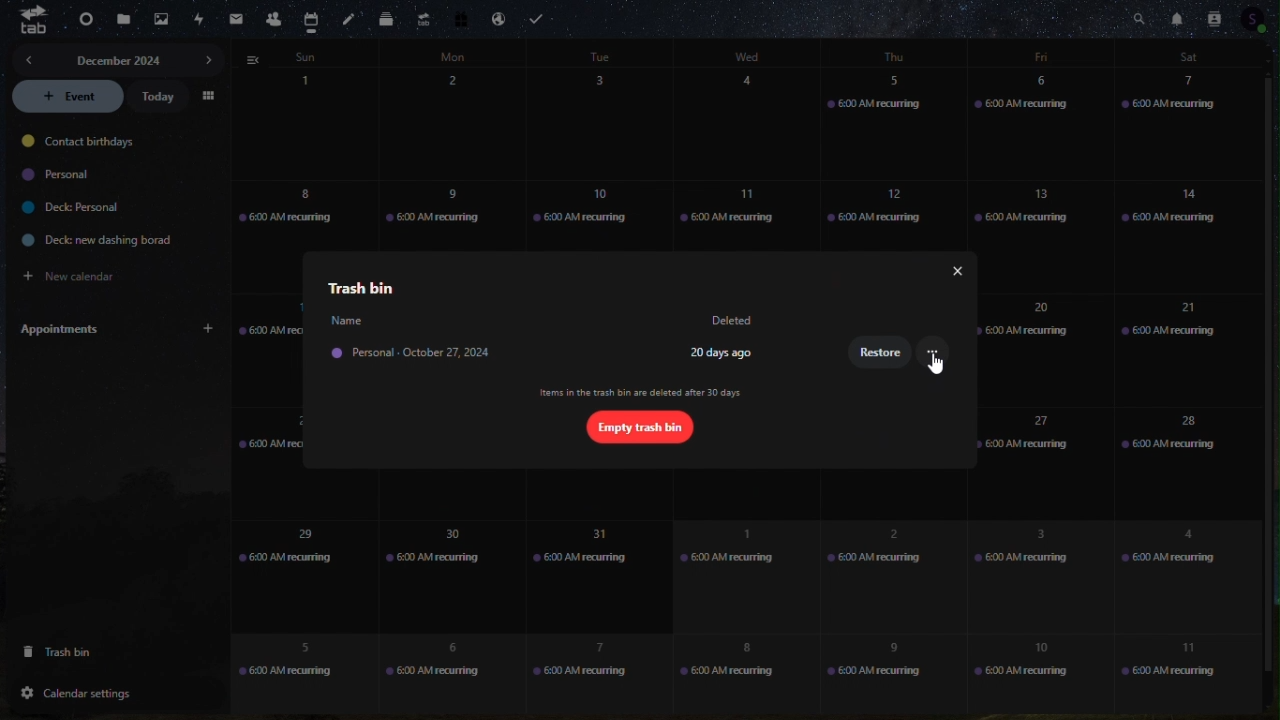 The height and width of the screenshot is (720, 1280). What do you see at coordinates (606, 125) in the screenshot?
I see `3` at bounding box center [606, 125].